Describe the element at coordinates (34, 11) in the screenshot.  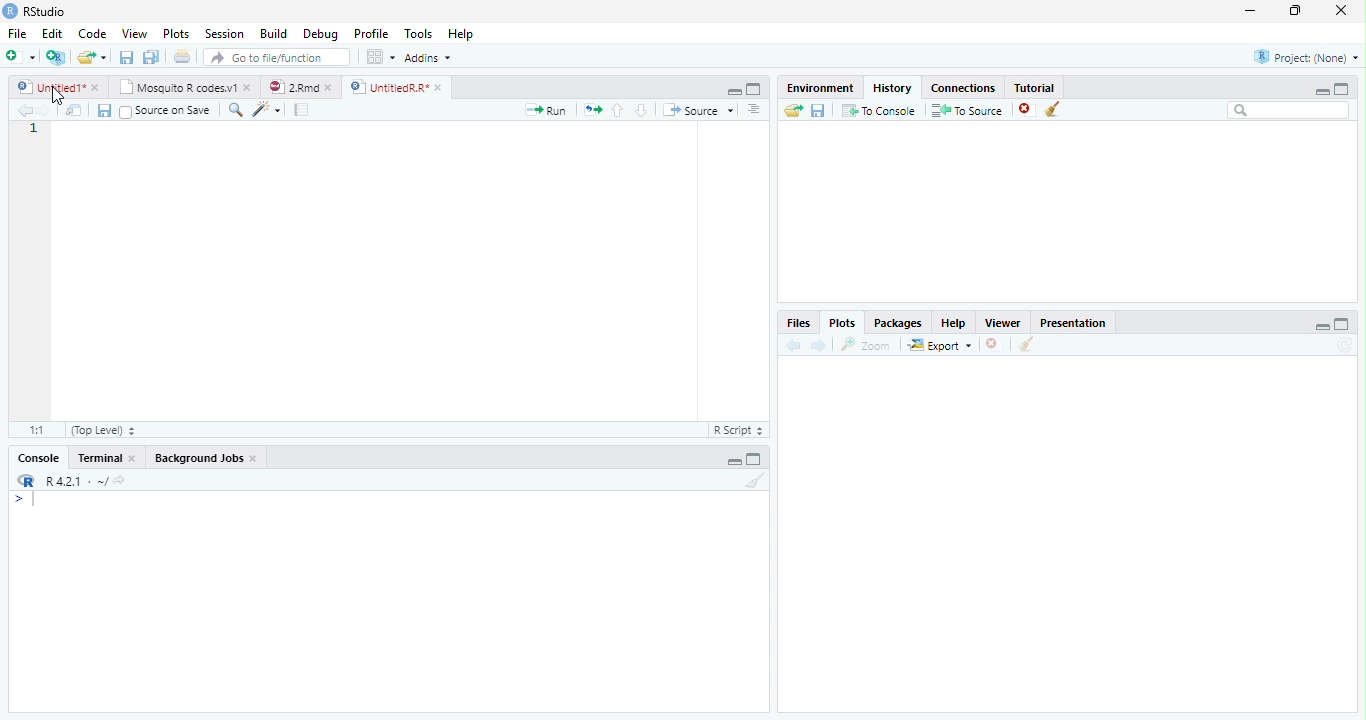
I see `RStudio` at that location.